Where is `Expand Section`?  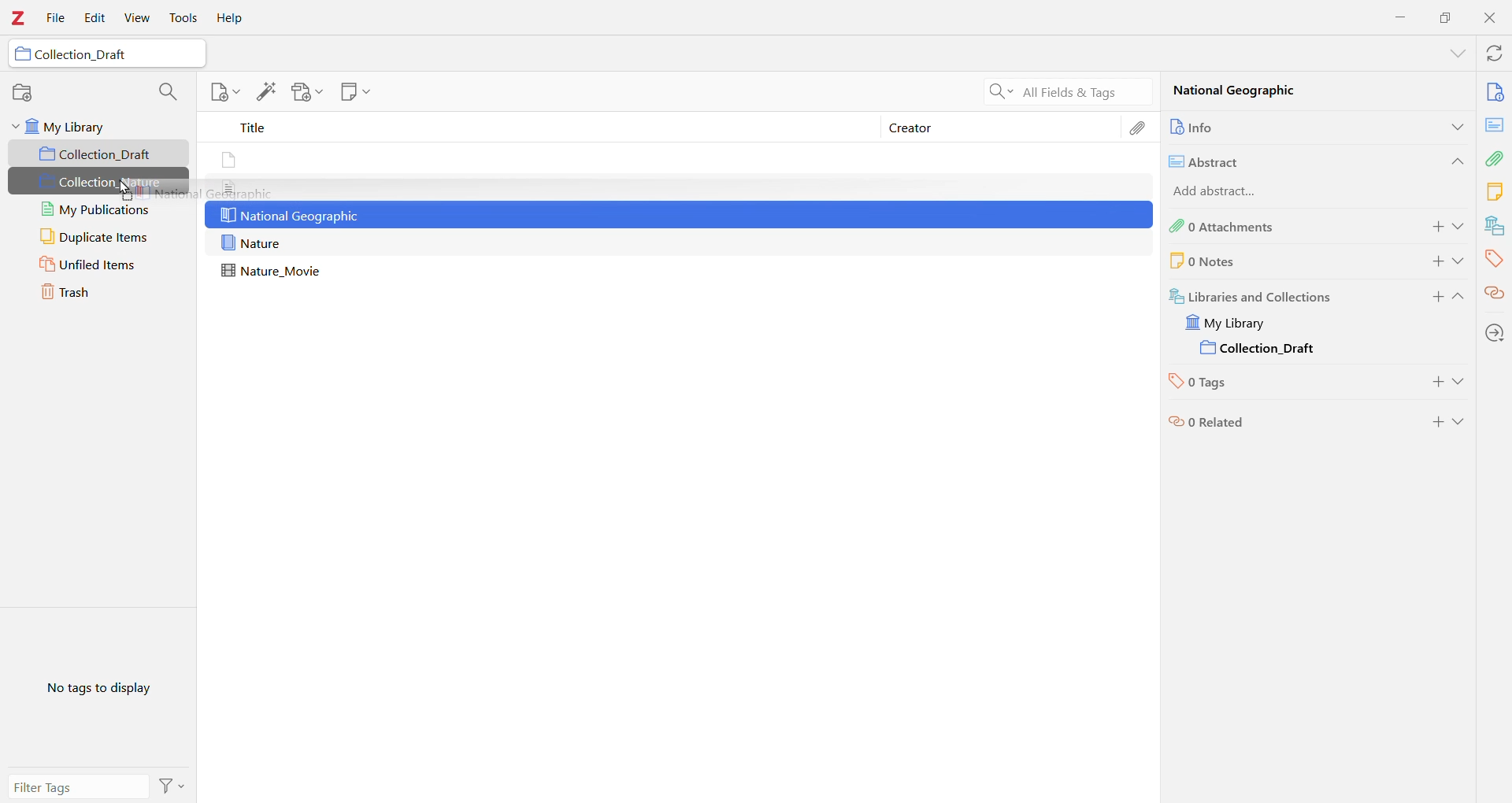 Expand Section is located at coordinates (1457, 54).